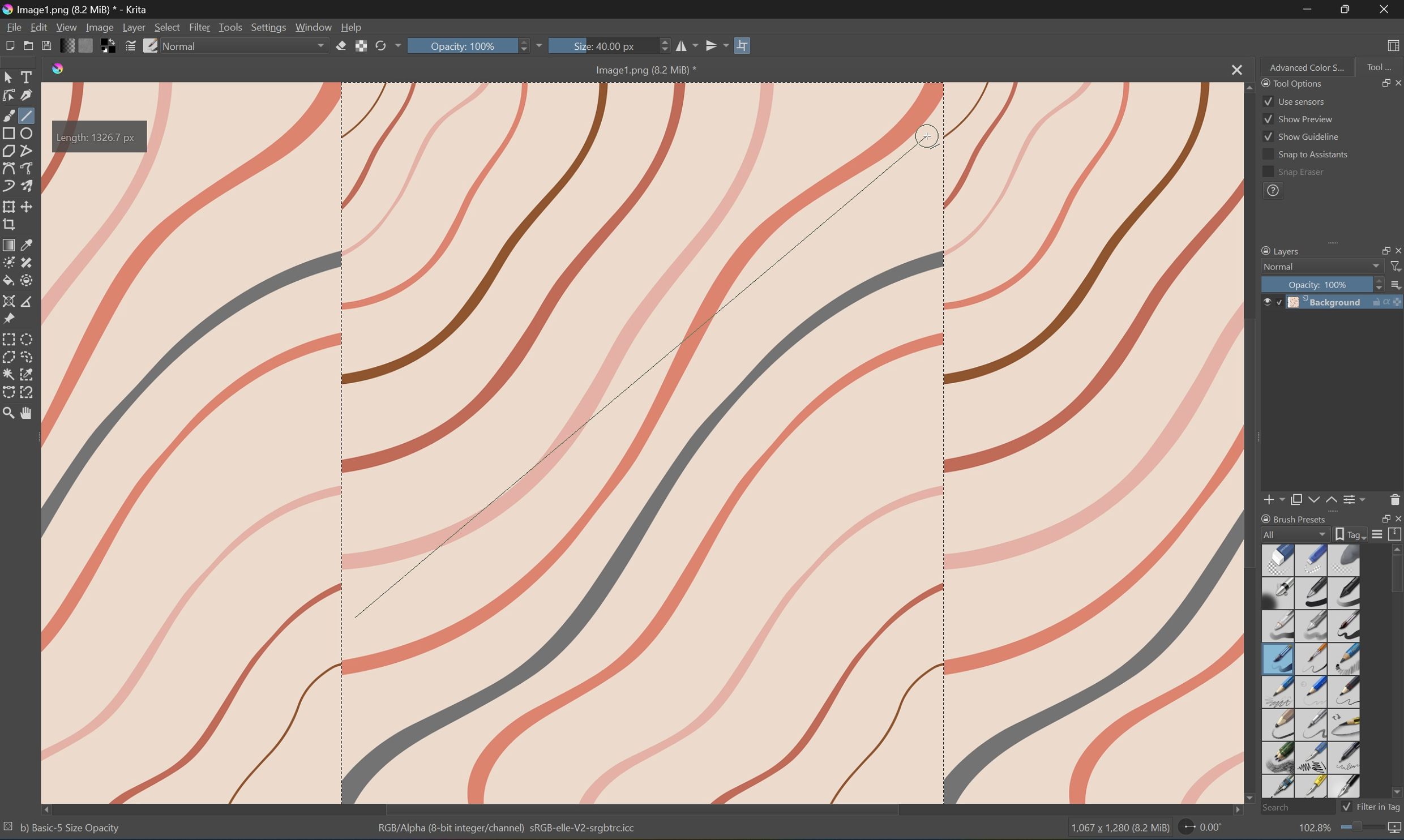 The image size is (1404, 840). Describe the element at coordinates (705, 442) in the screenshot. I see `Image` at that location.